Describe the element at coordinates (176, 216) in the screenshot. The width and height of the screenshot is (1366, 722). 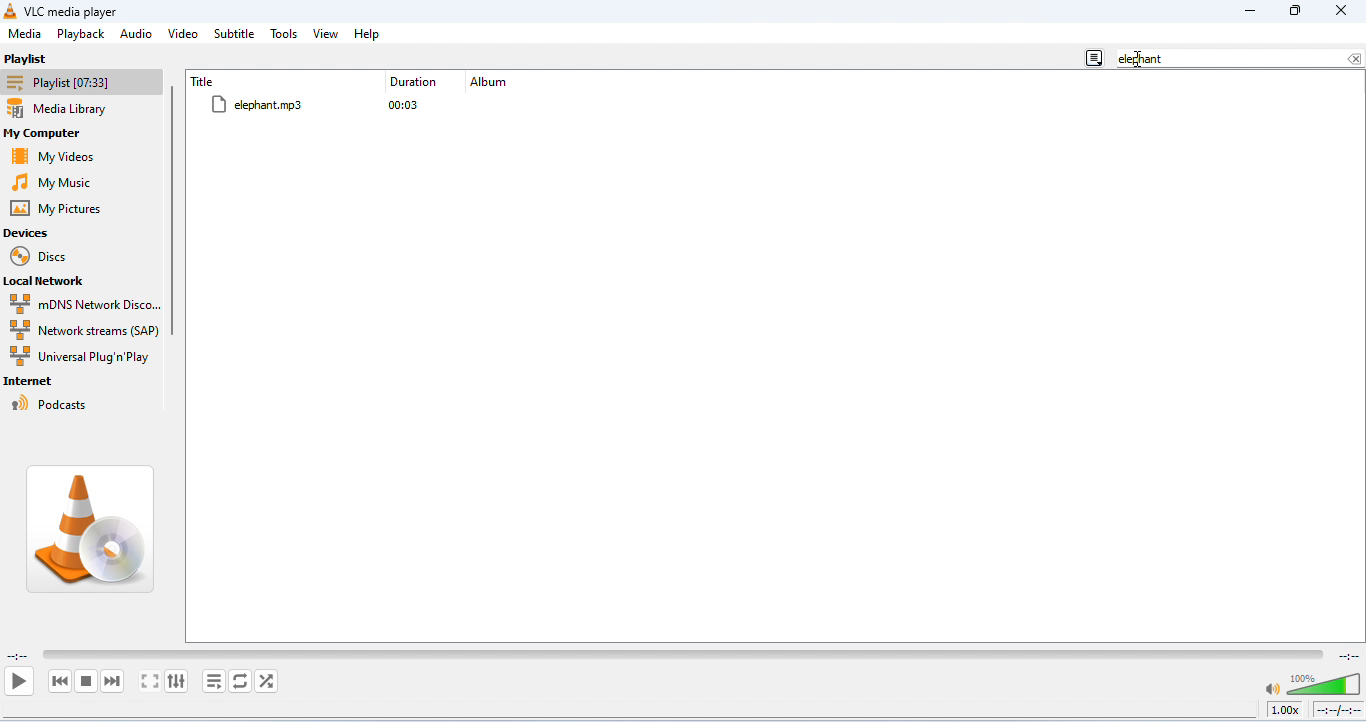
I see `vertical scroll bar` at that location.